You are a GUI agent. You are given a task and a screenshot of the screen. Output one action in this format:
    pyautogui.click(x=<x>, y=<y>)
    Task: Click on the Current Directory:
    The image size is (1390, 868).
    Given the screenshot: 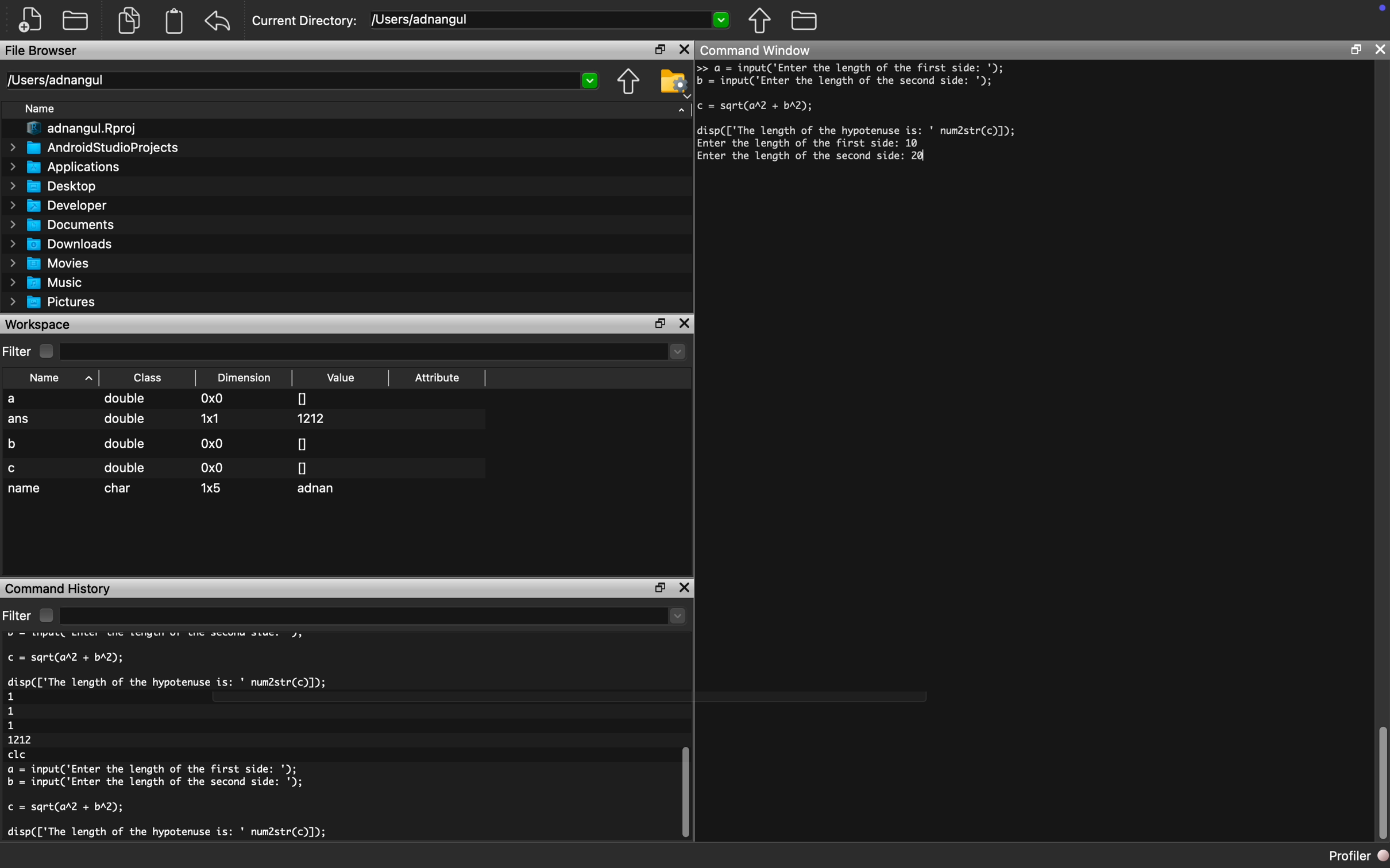 What is the action you would take?
    pyautogui.click(x=306, y=22)
    